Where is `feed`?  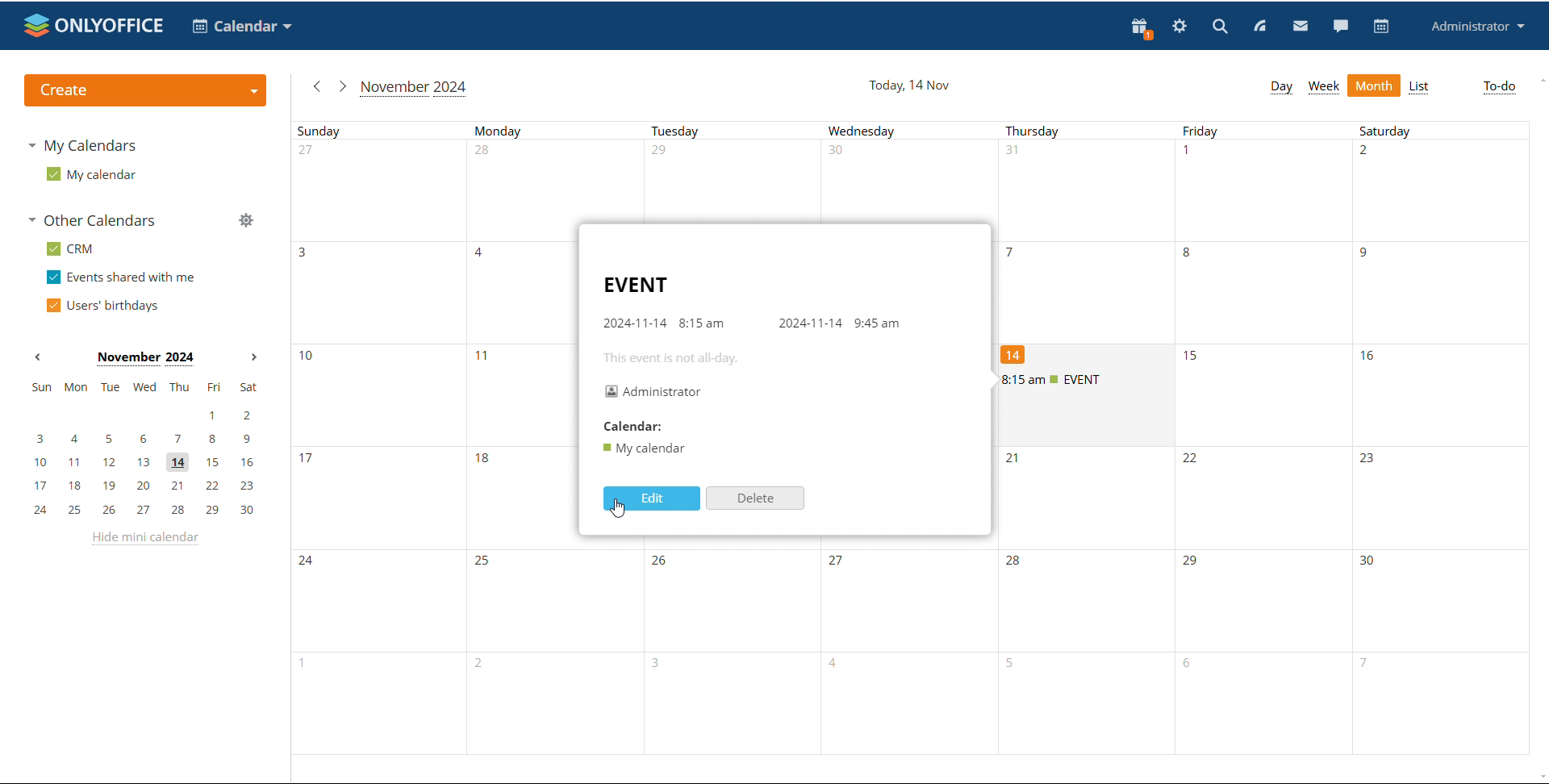 feed is located at coordinates (1259, 27).